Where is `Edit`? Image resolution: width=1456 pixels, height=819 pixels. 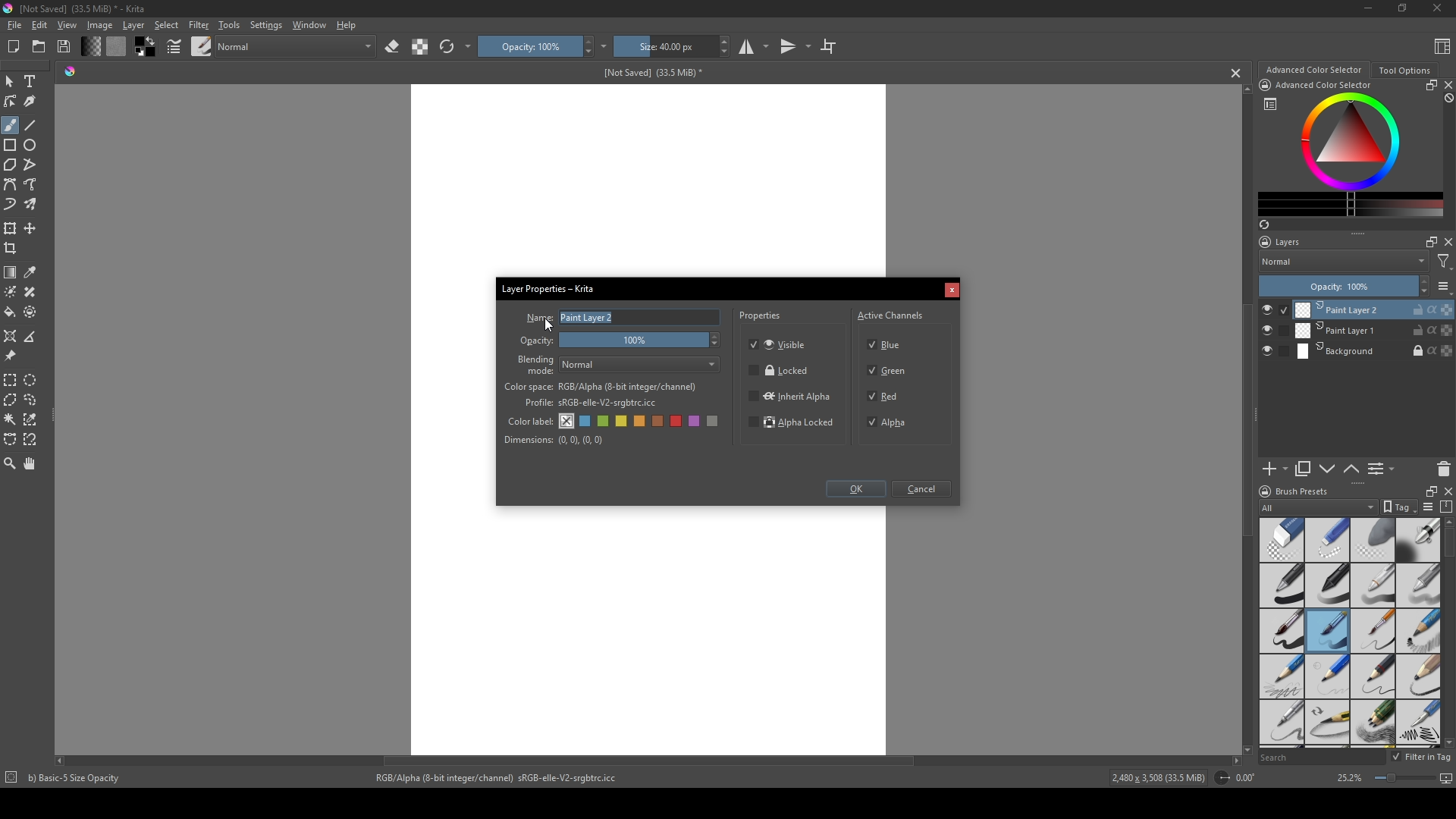
Edit is located at coordinates (39, 25).